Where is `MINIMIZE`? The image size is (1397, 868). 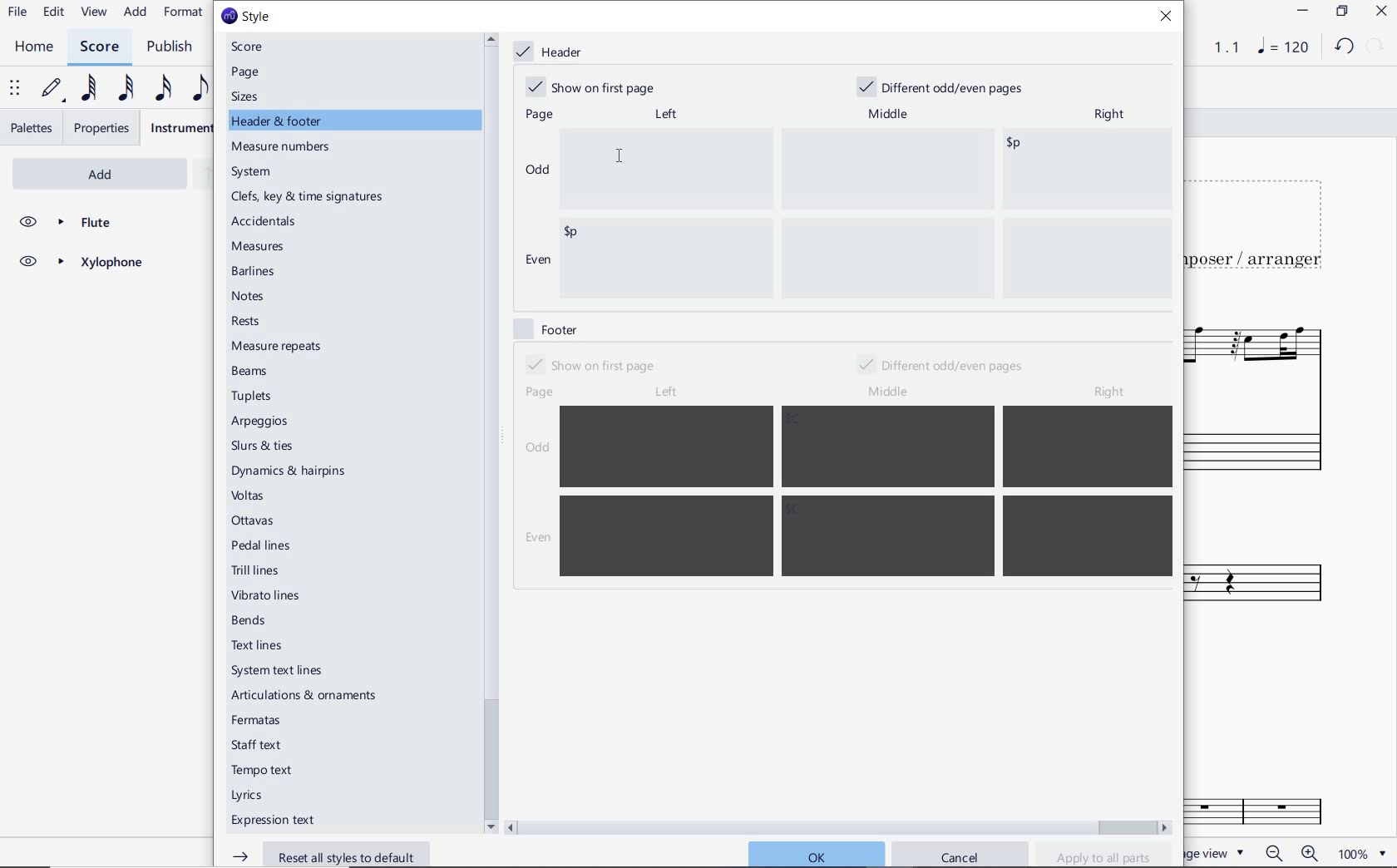
MINIMIZE is located at coordinates (1301, 11).